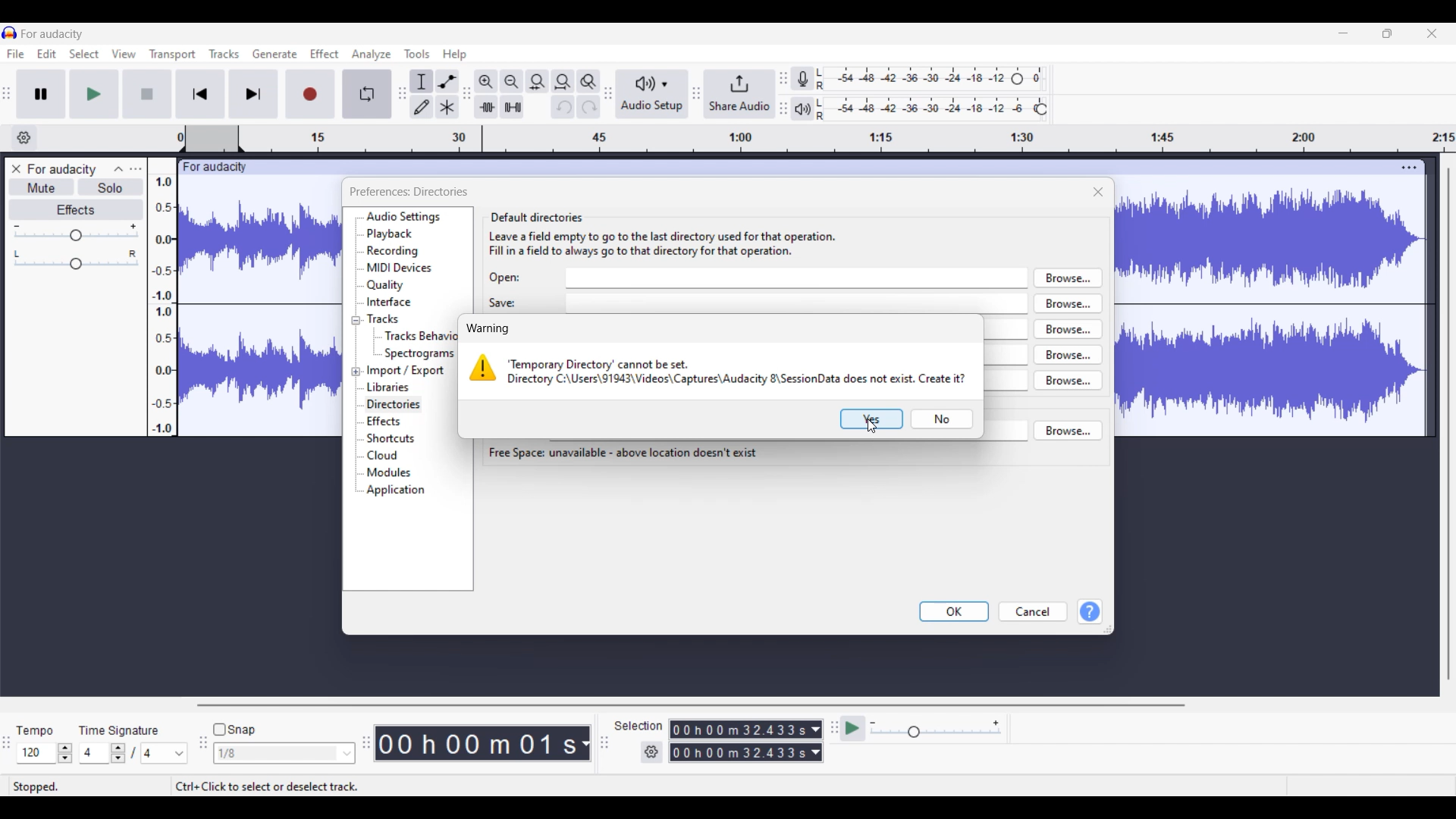 The image size is (1456, 819). Describe the element at coordinates (77, 209) in the screenshot. I see `Effects` at that location.